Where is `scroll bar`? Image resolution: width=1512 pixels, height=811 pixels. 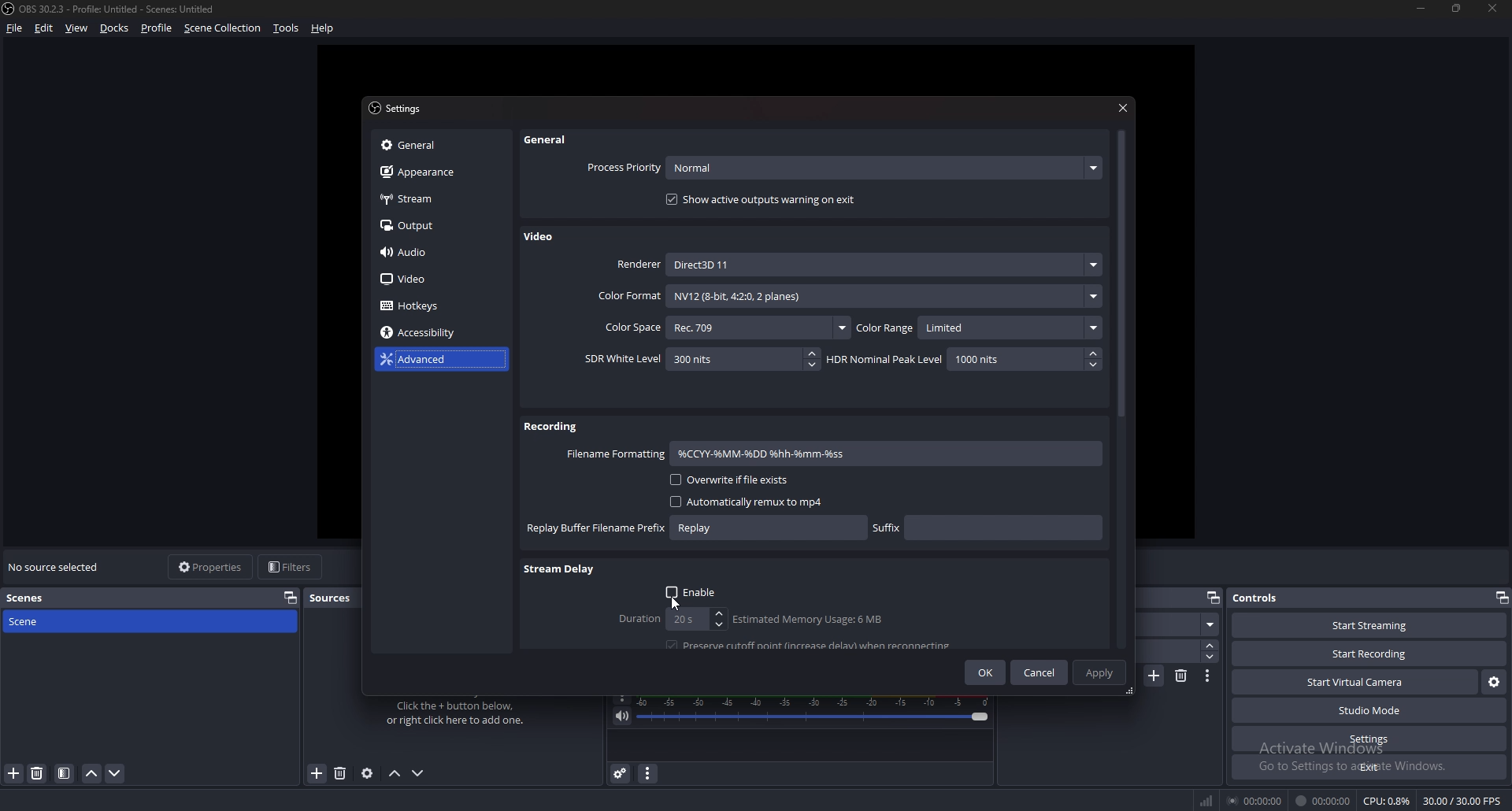
scroll bar is located at coordinates (1121, 276).